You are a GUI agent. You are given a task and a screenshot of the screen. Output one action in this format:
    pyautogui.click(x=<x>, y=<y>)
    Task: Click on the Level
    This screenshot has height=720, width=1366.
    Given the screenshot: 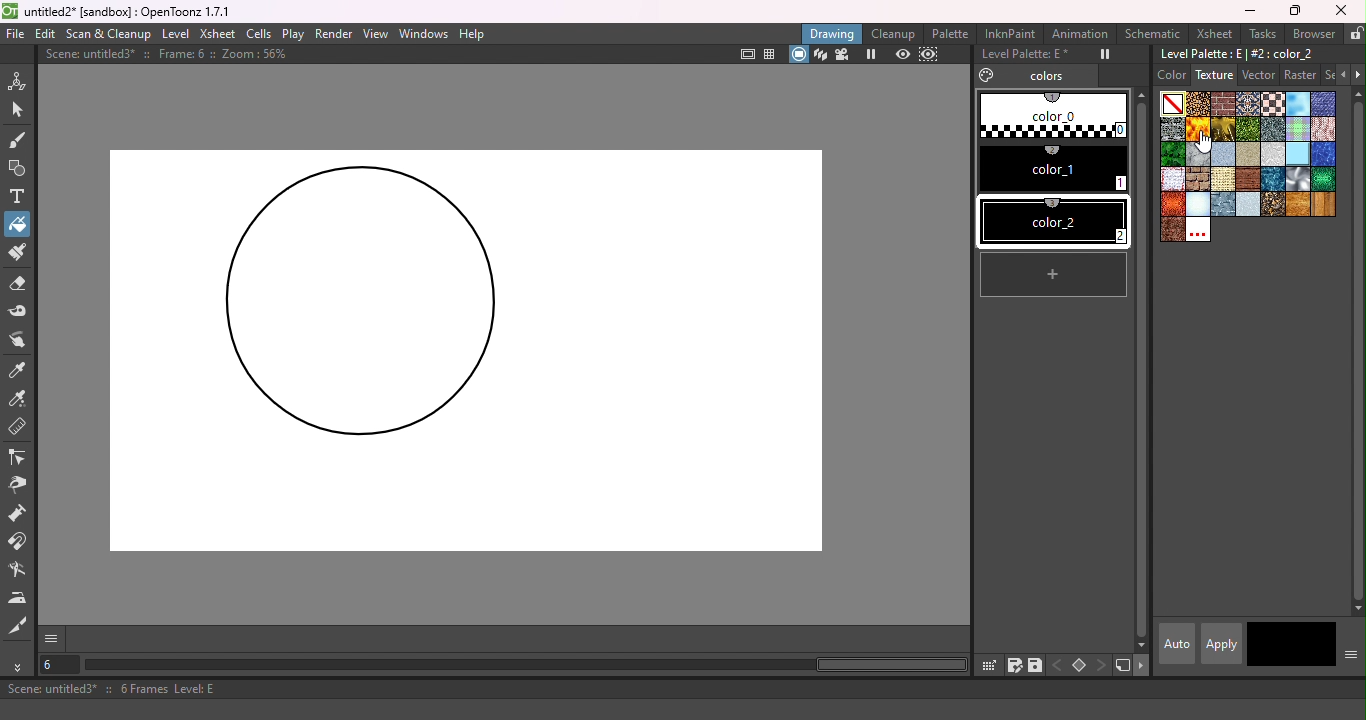 What is the action you would take?
    pyautogui.click(x=177, y=33)
    